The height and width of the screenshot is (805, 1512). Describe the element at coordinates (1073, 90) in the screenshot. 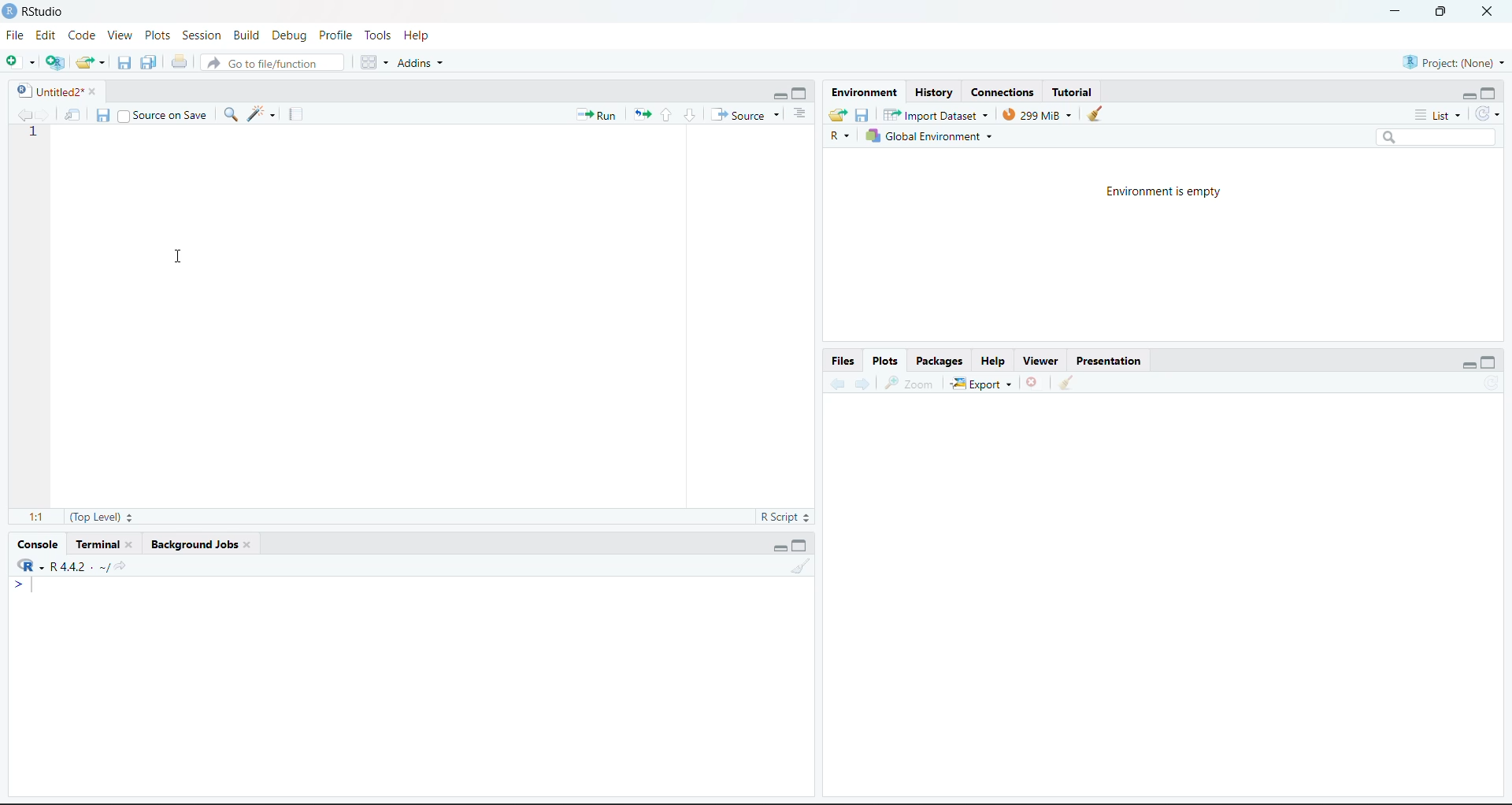

I see `Tutorial` at that location.